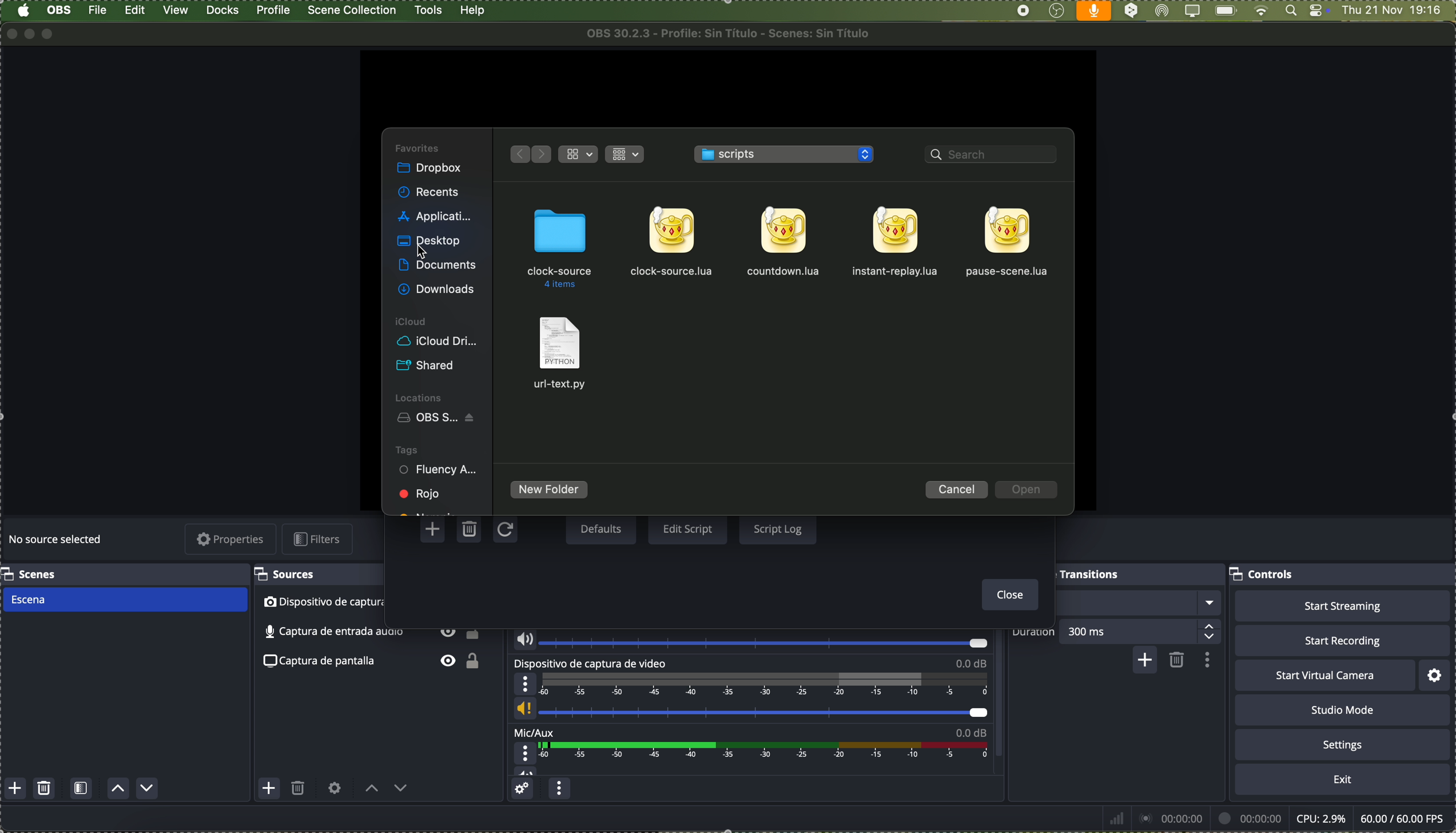 Image resolution: width=1456 pixels, height=833 pixels. Describe the element at coordinates (1023, 11) in the screenshot. I see `stop recording` at that location.